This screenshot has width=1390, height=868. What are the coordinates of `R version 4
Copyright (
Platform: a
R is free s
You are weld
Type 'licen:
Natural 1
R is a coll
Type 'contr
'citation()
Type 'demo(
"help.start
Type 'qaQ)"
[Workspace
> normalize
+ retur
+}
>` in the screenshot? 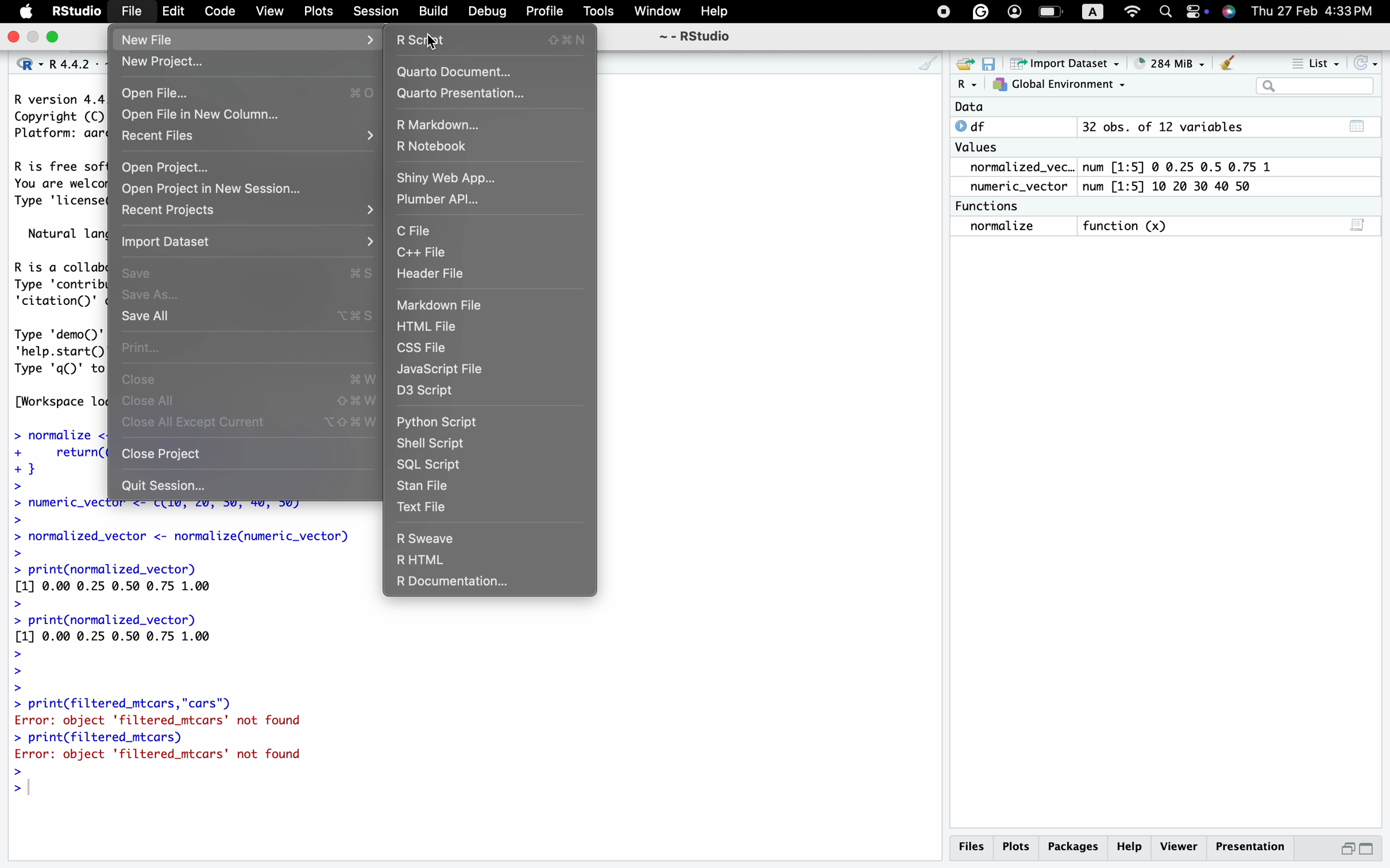 It's located at (52, 293).